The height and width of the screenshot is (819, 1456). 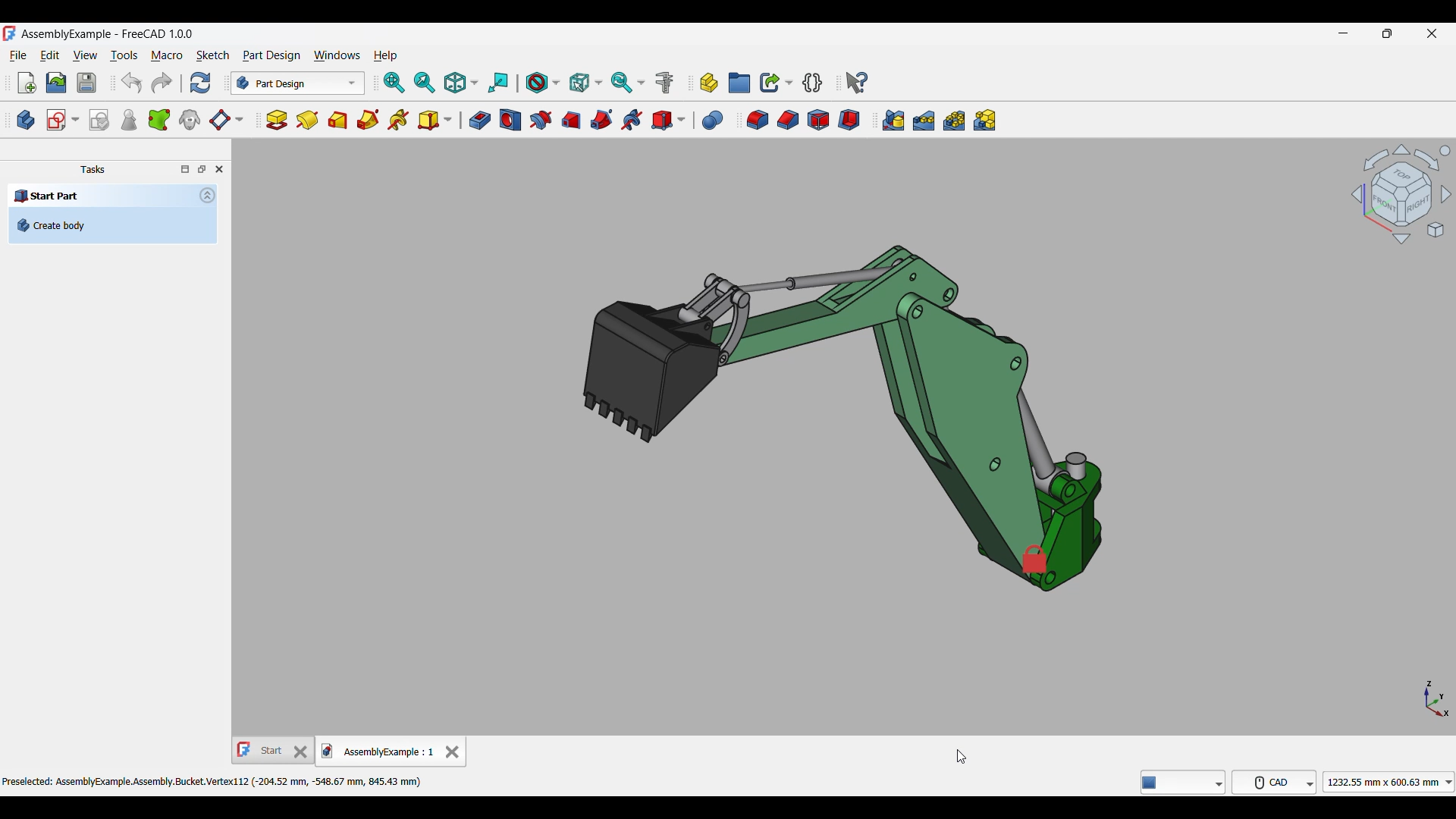 What do you see at coordinates (954, 120) in the screenshot?
I see `Polar pattern` at bounding box center [954, 120].